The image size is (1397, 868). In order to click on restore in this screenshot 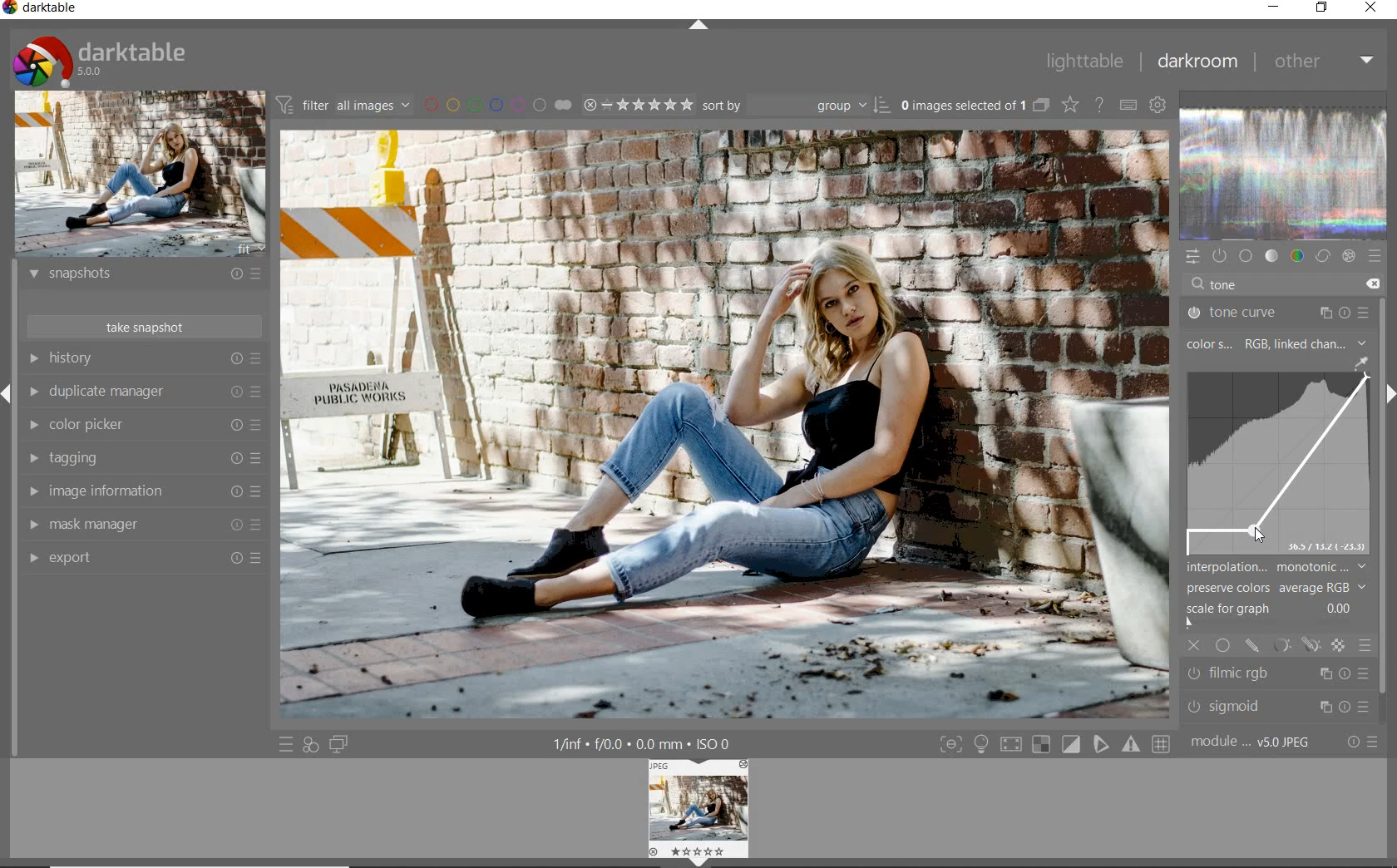, I will do `click(1322, 8)`.